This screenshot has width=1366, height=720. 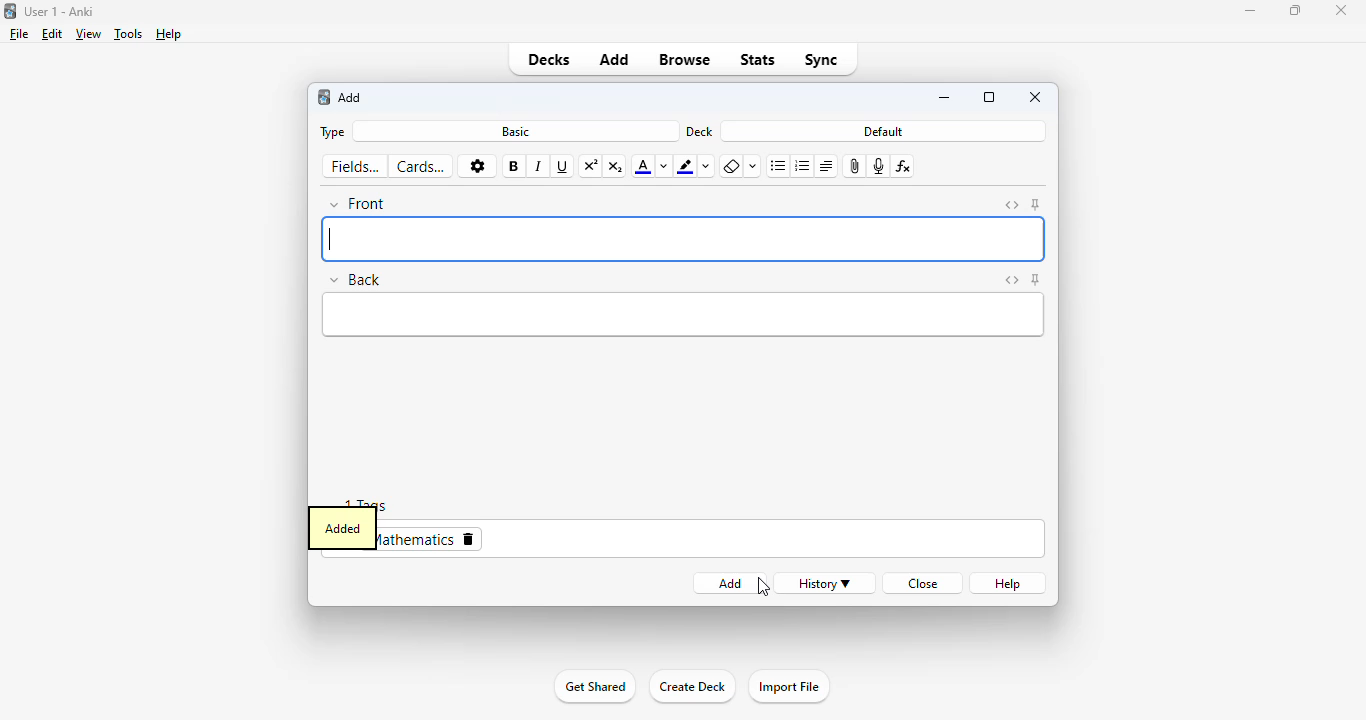 I want to click on equations, so click(x=905, y=166).